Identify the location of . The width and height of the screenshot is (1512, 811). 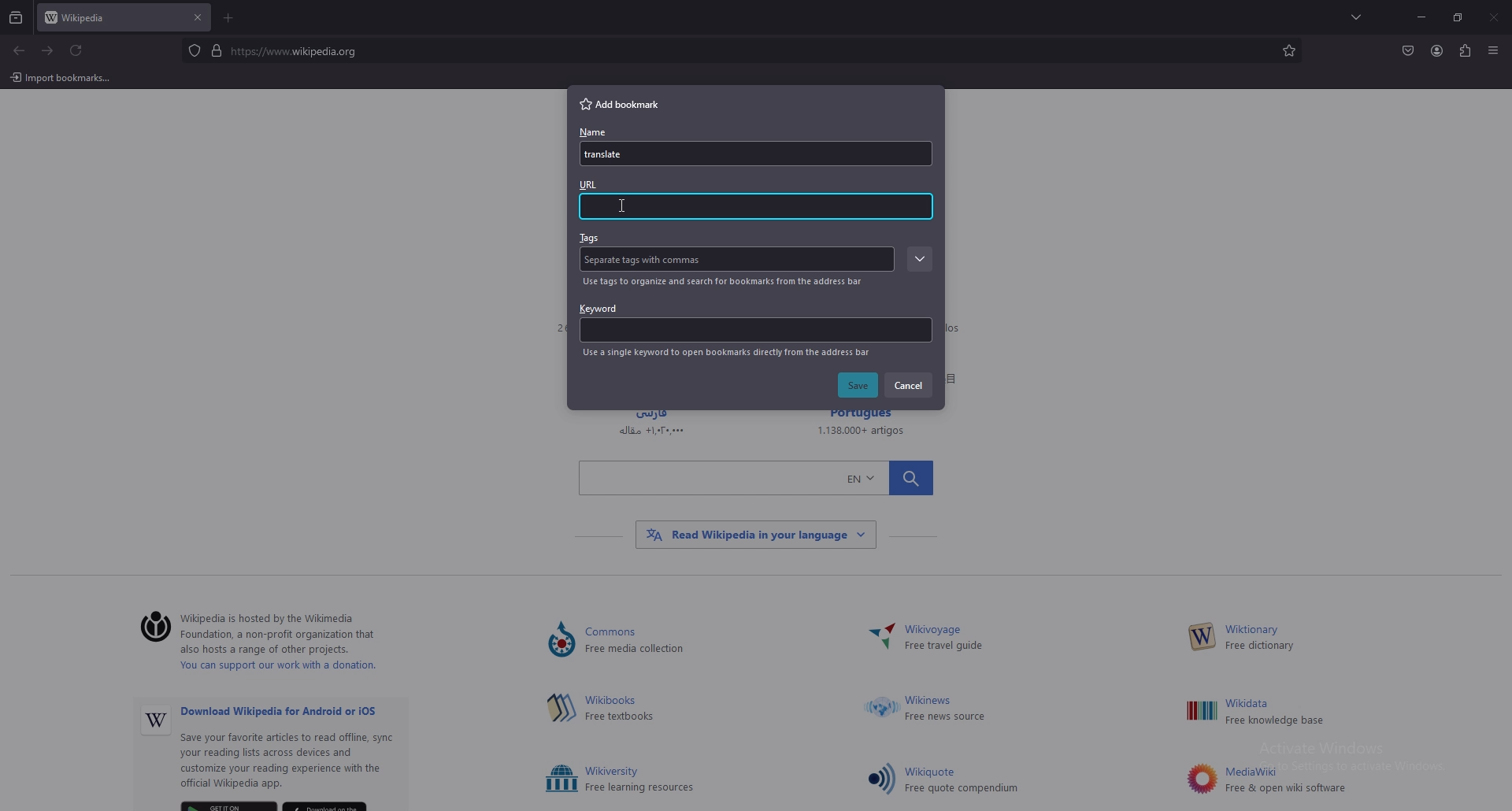
(561, 641).